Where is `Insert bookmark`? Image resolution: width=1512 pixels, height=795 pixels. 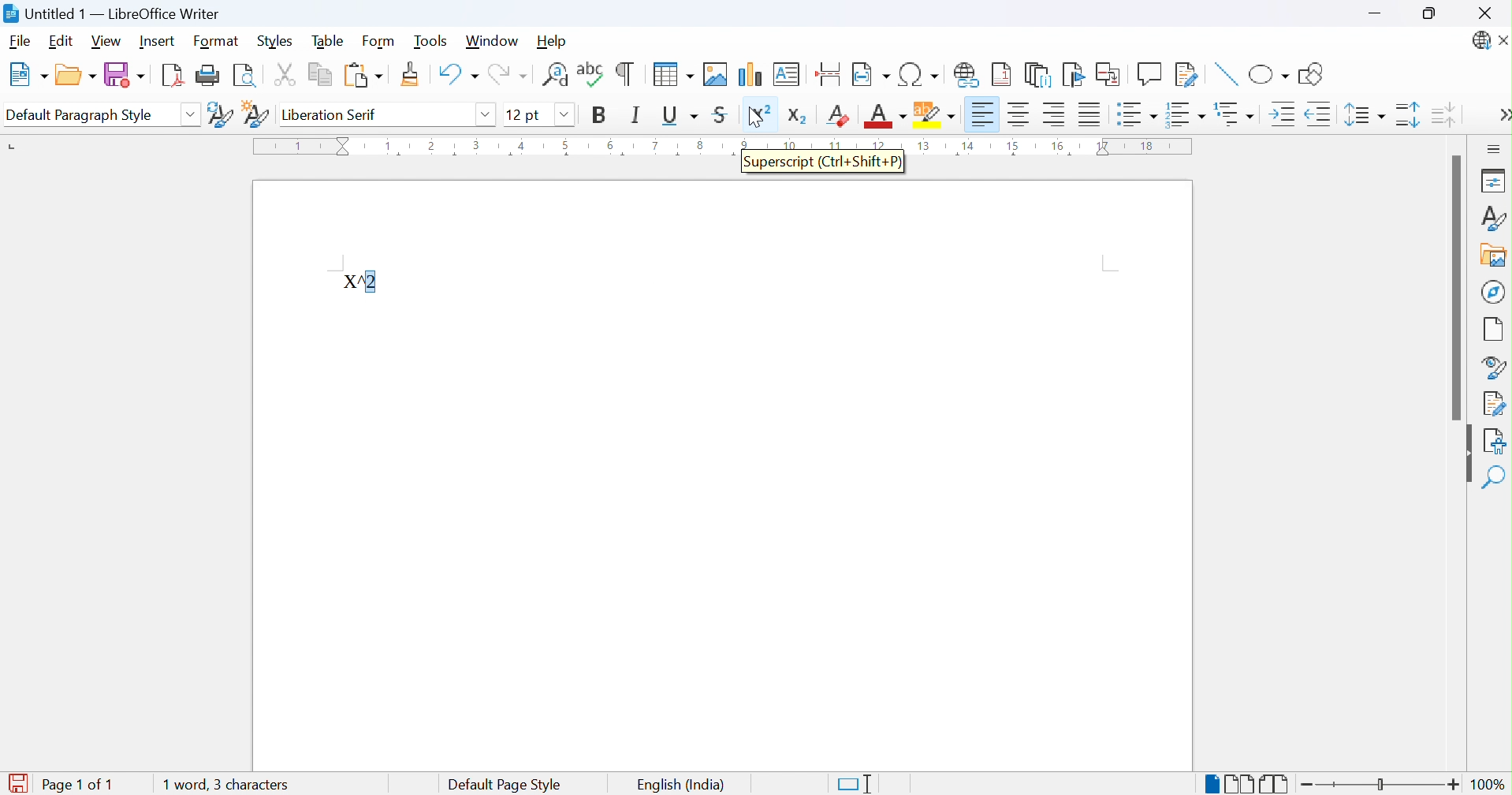
Insert bookmark is located at coordinates (1075, 75).